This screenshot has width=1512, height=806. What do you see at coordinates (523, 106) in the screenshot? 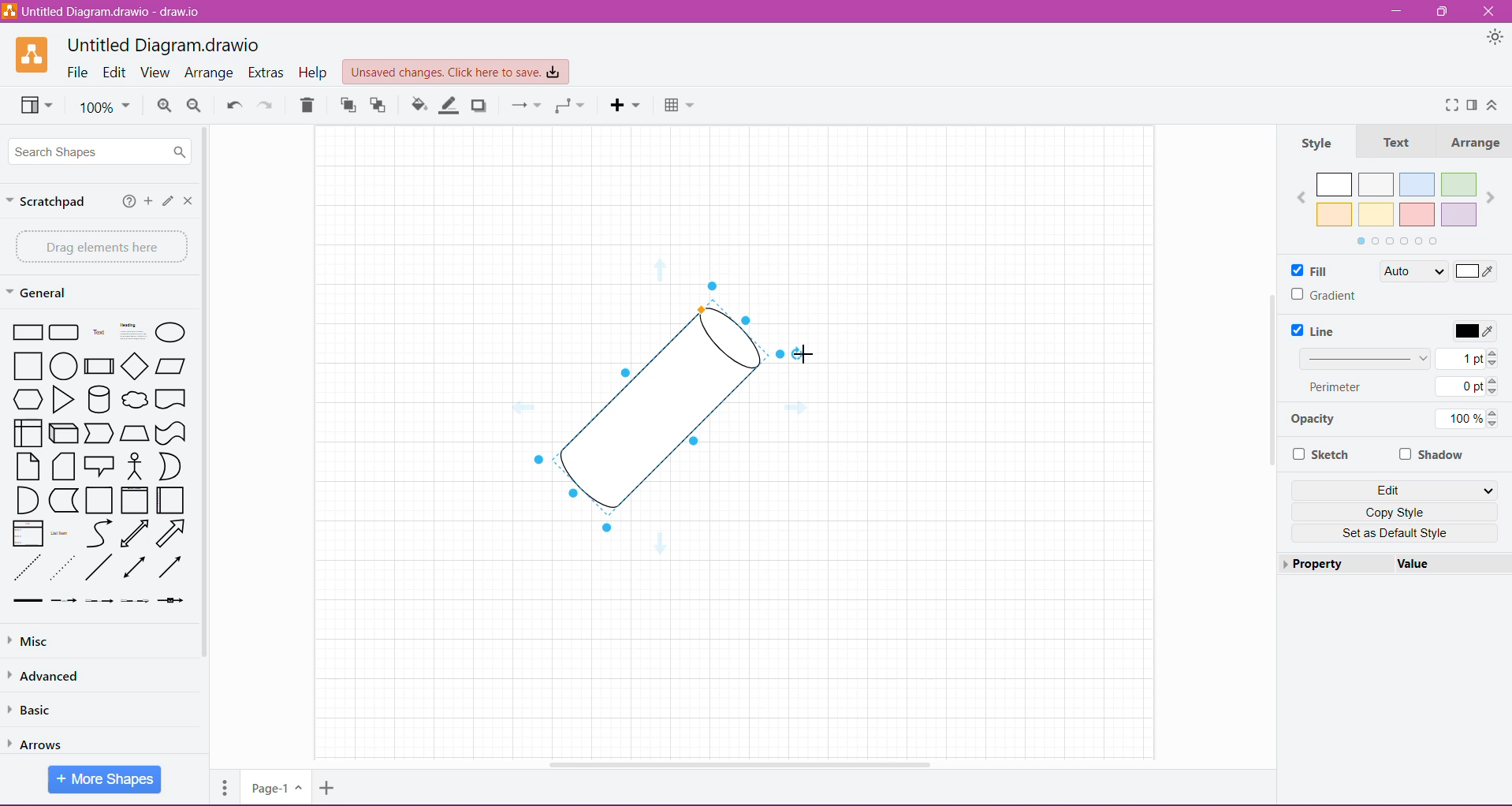
I see `Connection` at bounding box center [523, 106].